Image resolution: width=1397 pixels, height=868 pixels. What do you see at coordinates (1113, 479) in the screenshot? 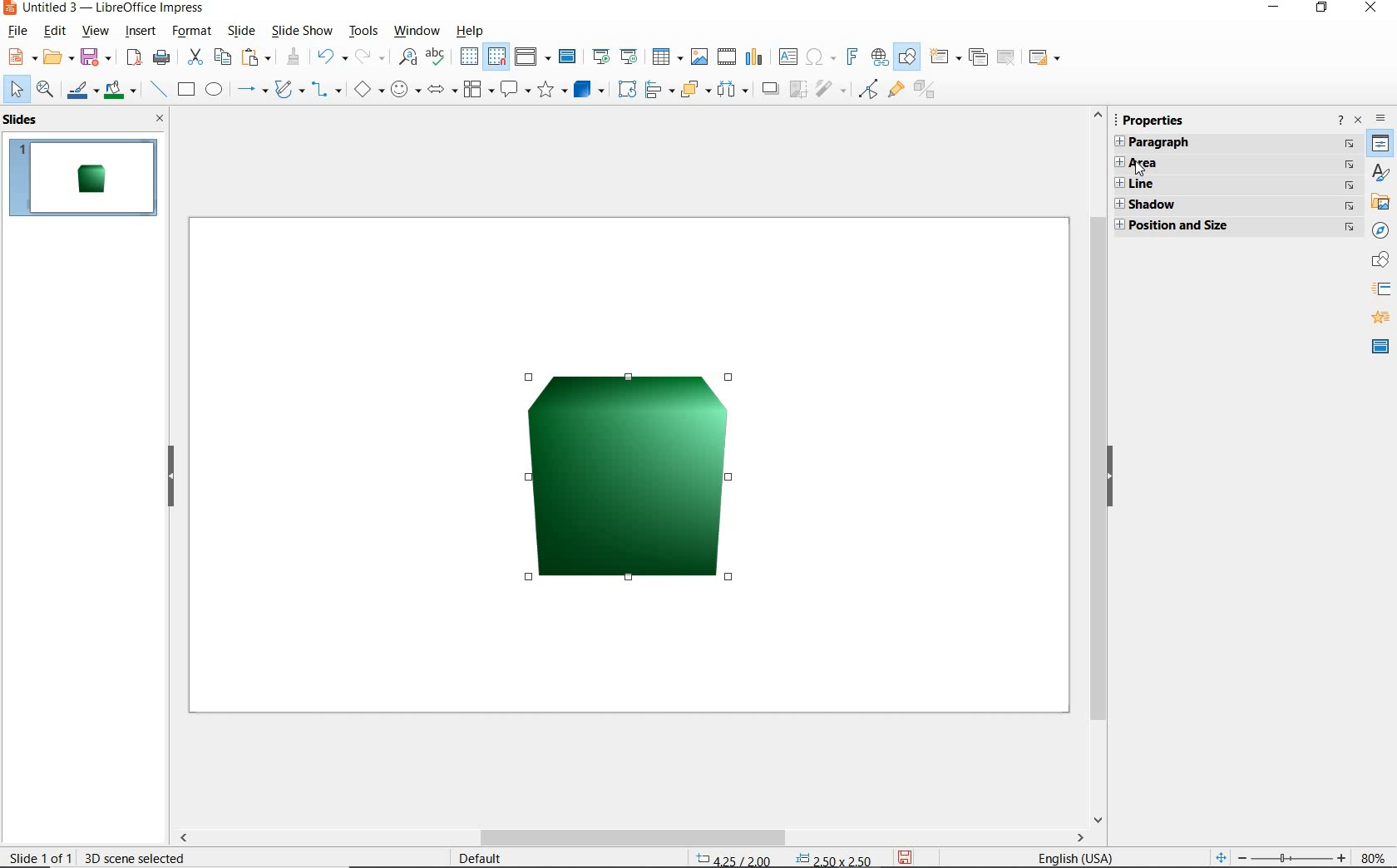
I see `HIDE` at bounding box center [1113, 479].